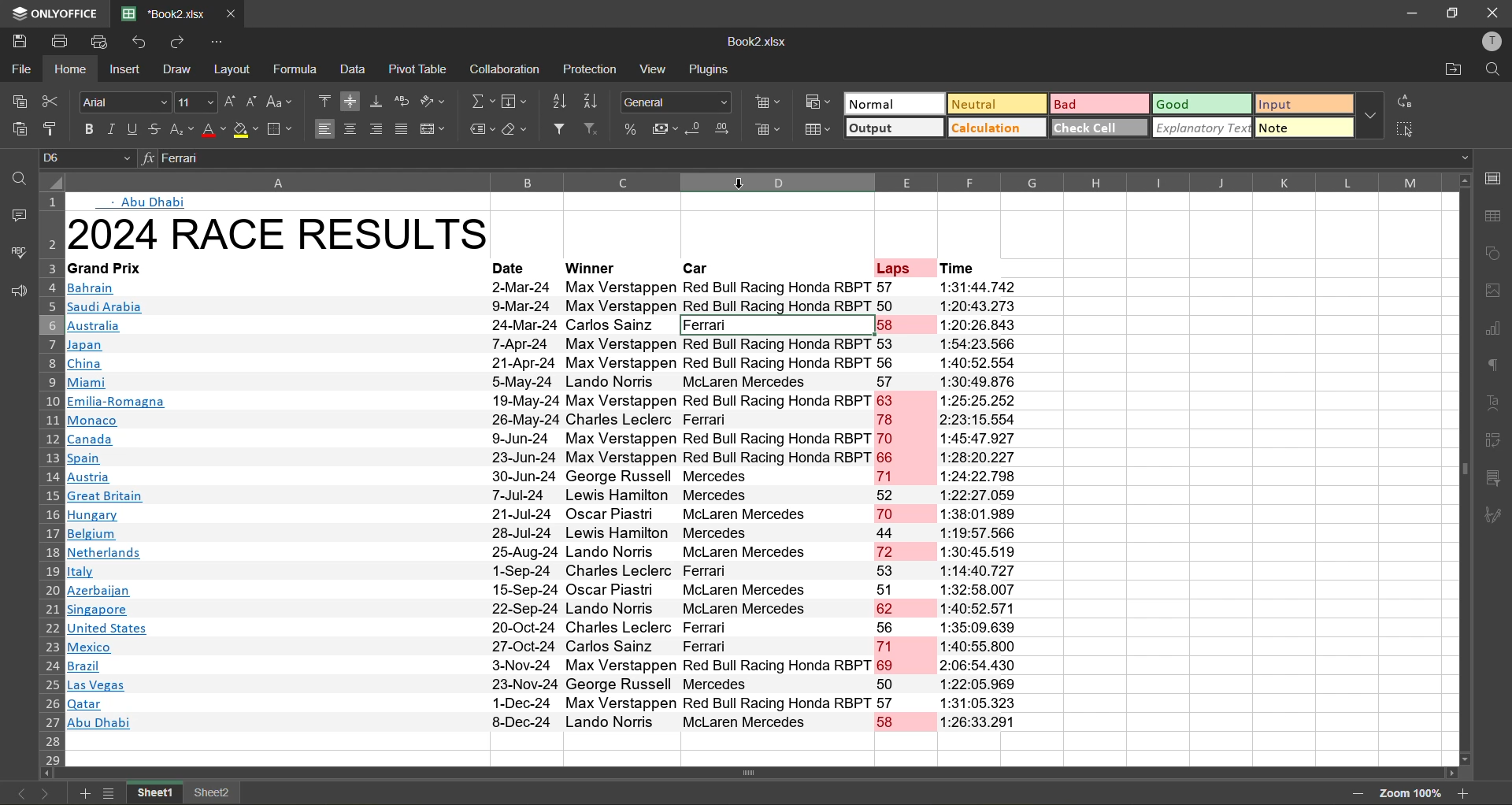 The image size is (1512, 805). I want to click on close, so click(1492, 14).